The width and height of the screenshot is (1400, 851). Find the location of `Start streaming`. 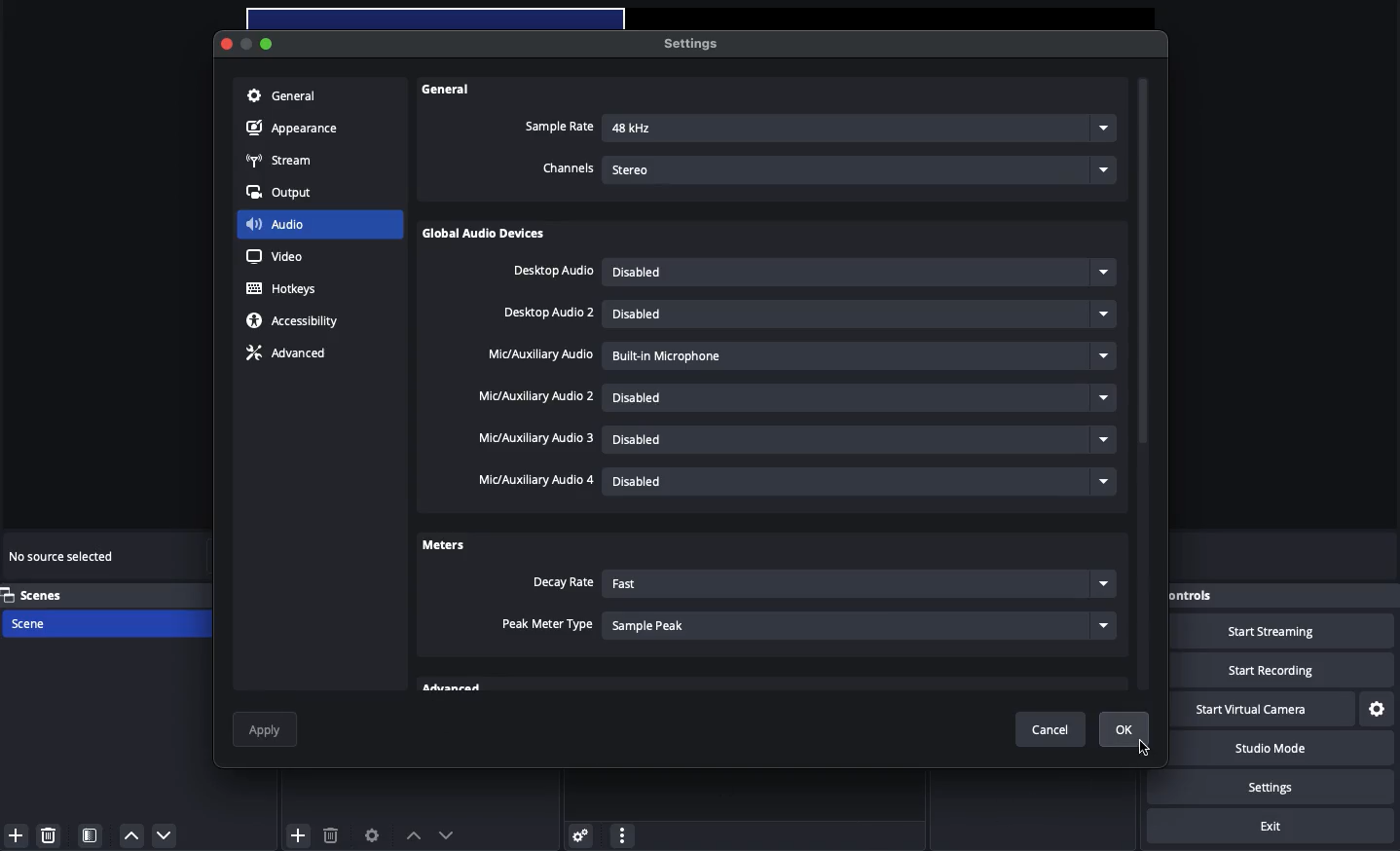

Start streaming is located at coordinates (1287, 632).